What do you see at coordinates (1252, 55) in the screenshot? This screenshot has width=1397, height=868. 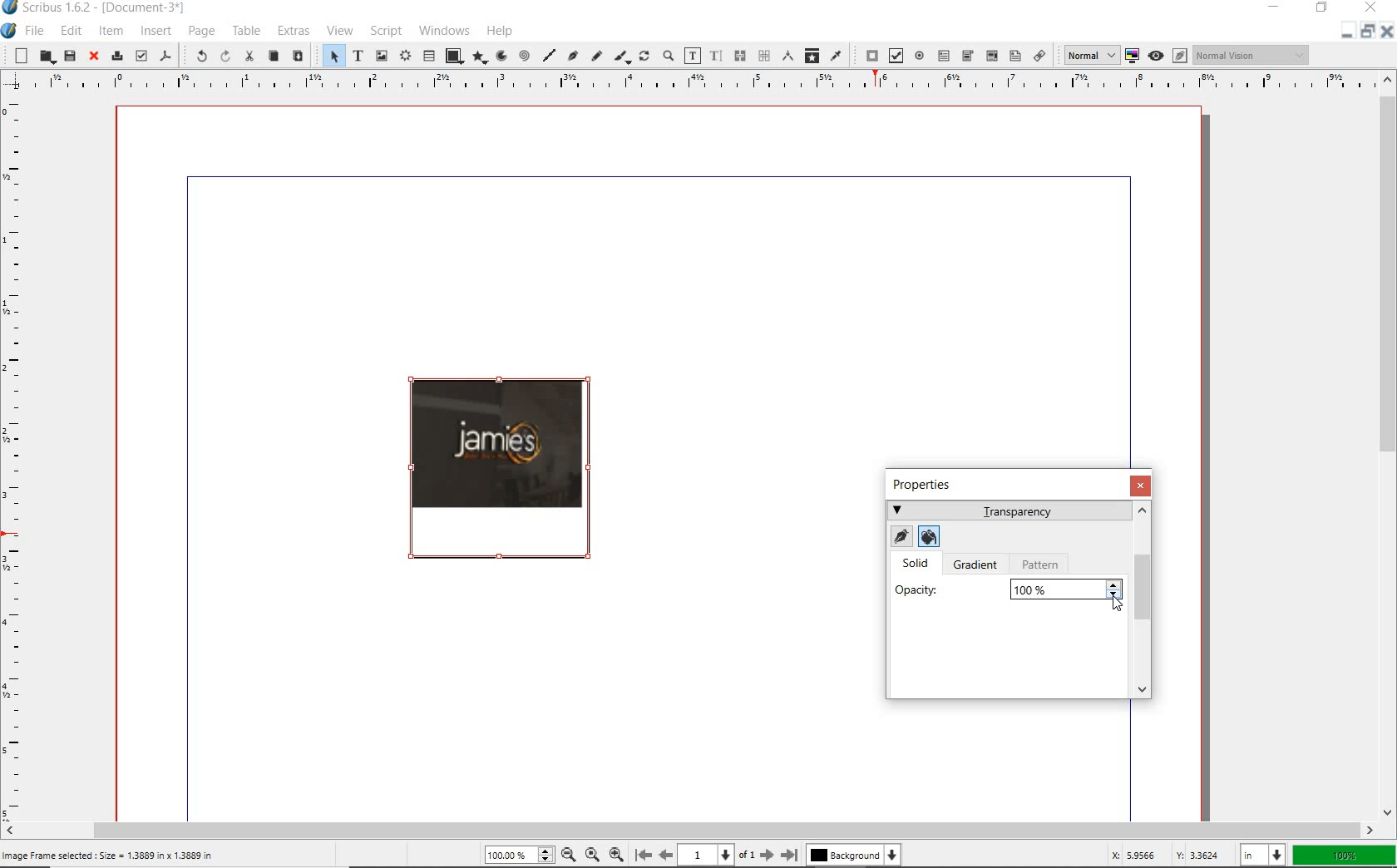 I see `visual appearance of display` at bounding box center [1252, 55].